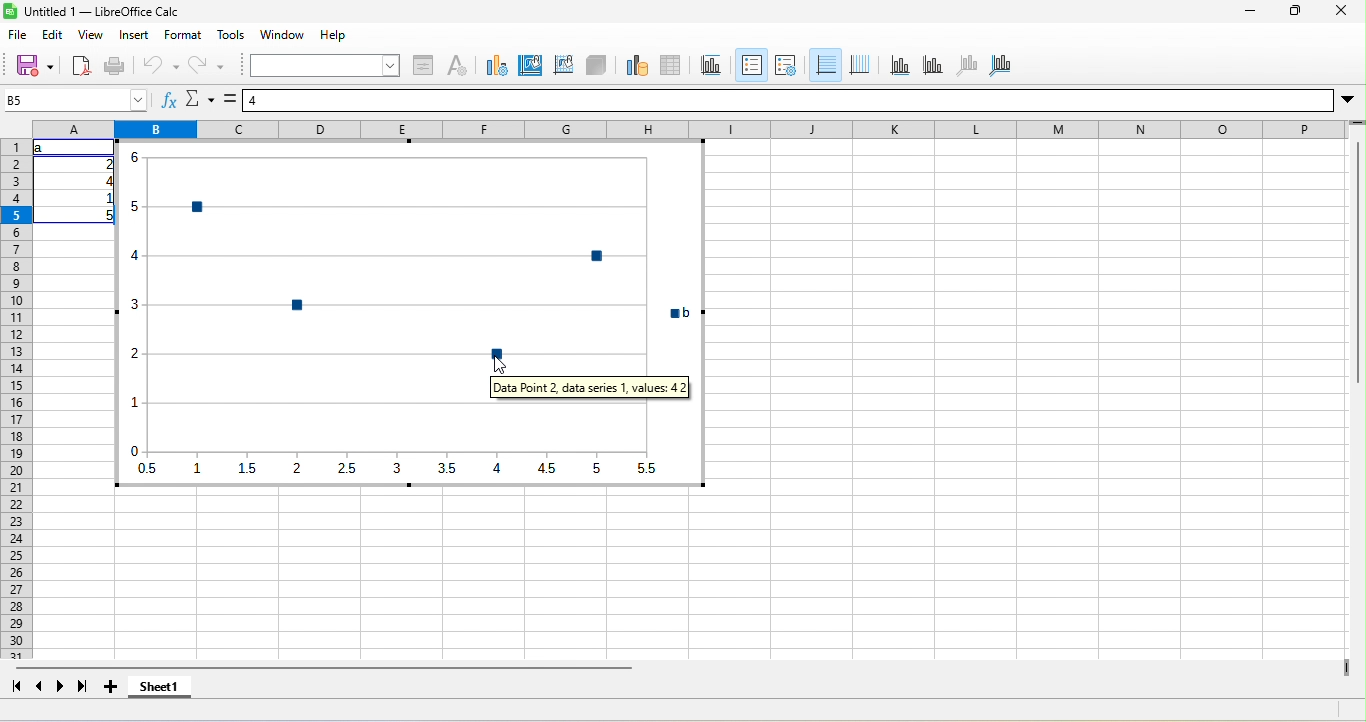 Image resolution: width=1366 pixels, height=722 pixels. What do you see at coordinates (106, 164) in the screenshot?
I see `2` at bounding box center [106, 164].